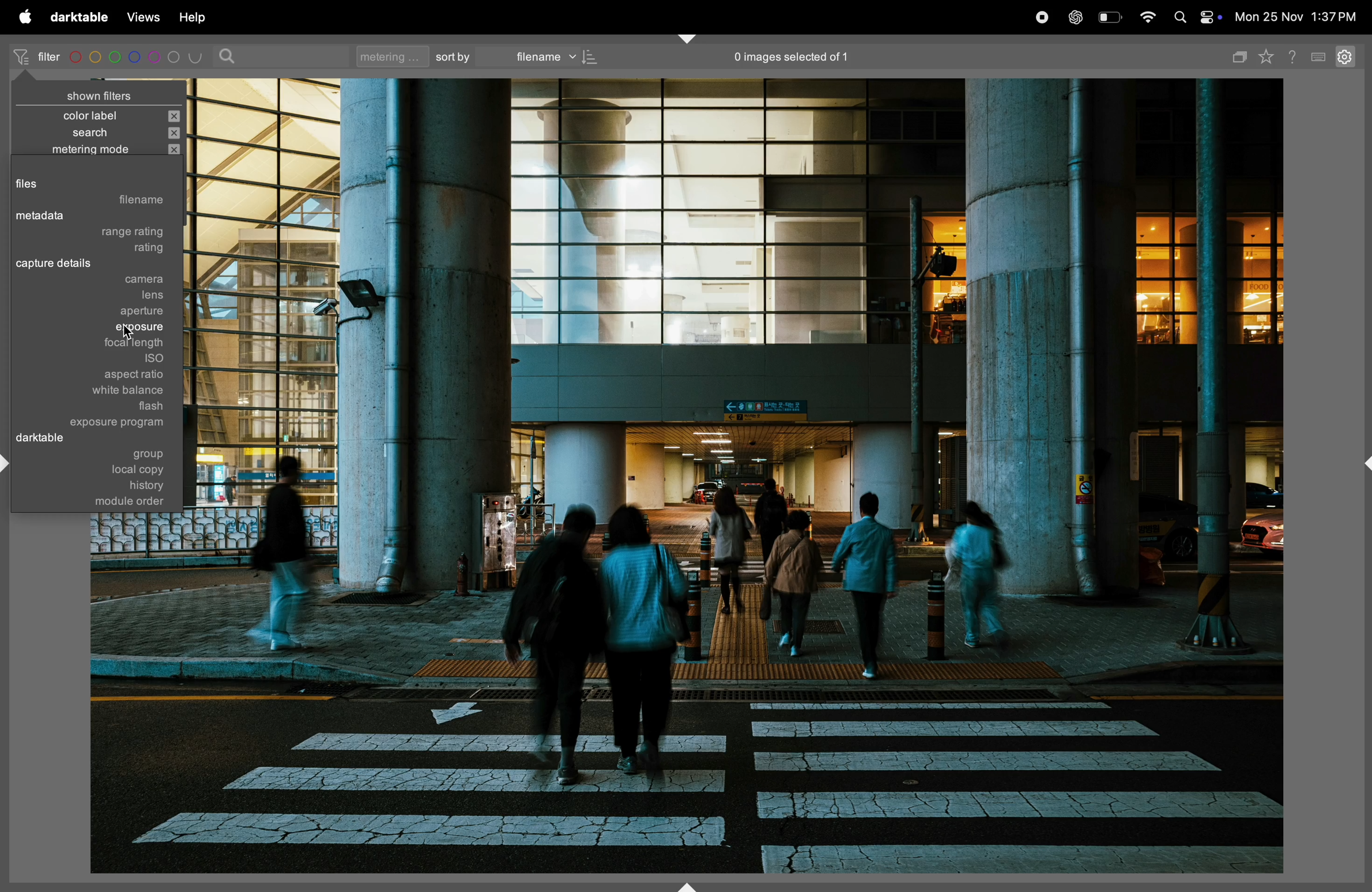 The height and width of the screenshot is (892, 1372). What do you see at coordinates (130, 328) in the screenshot?
I see `cursor` at bounding box center [130, 328].